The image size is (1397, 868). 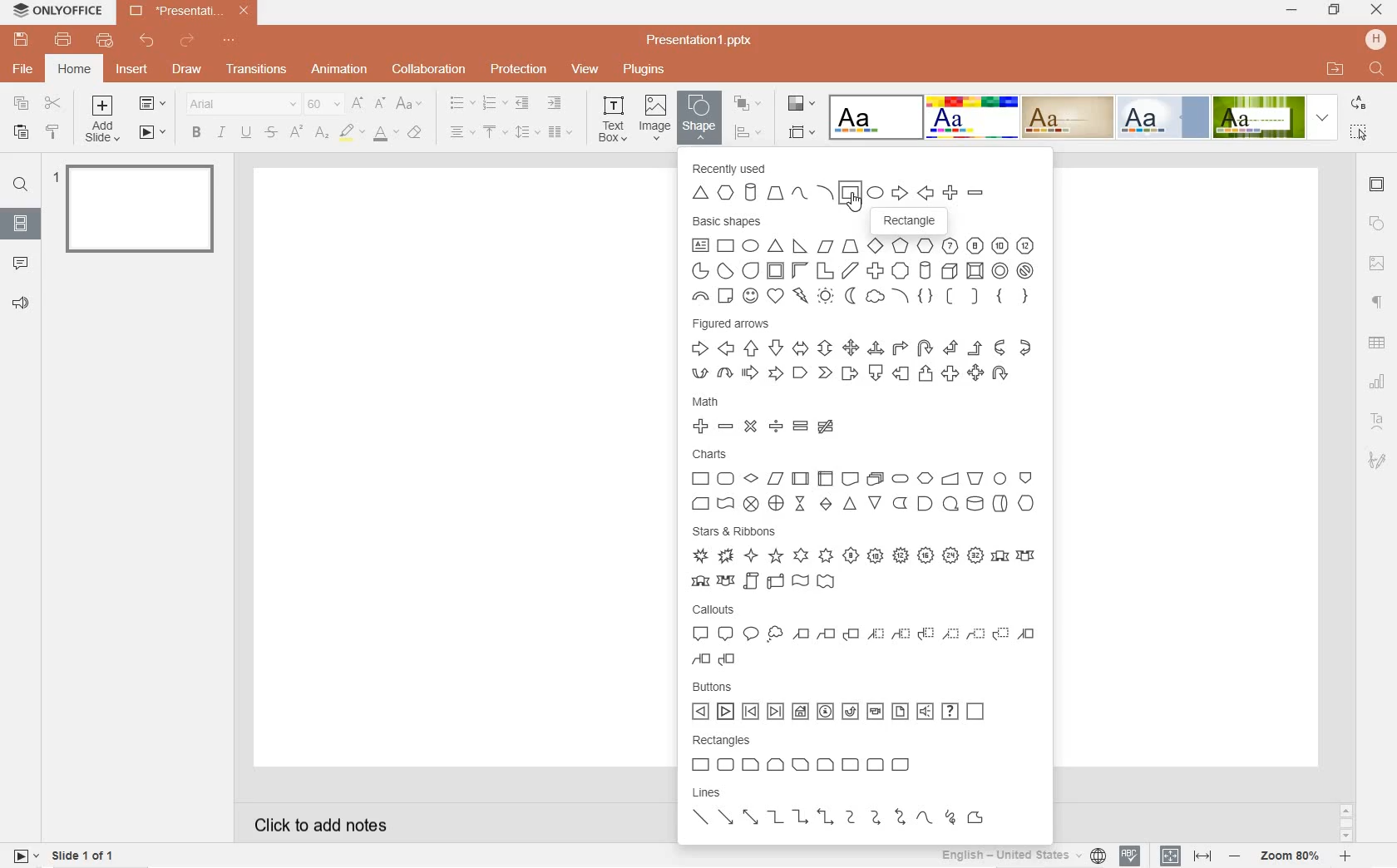 I want to click on Pentagon, so click(x=801, y=373).